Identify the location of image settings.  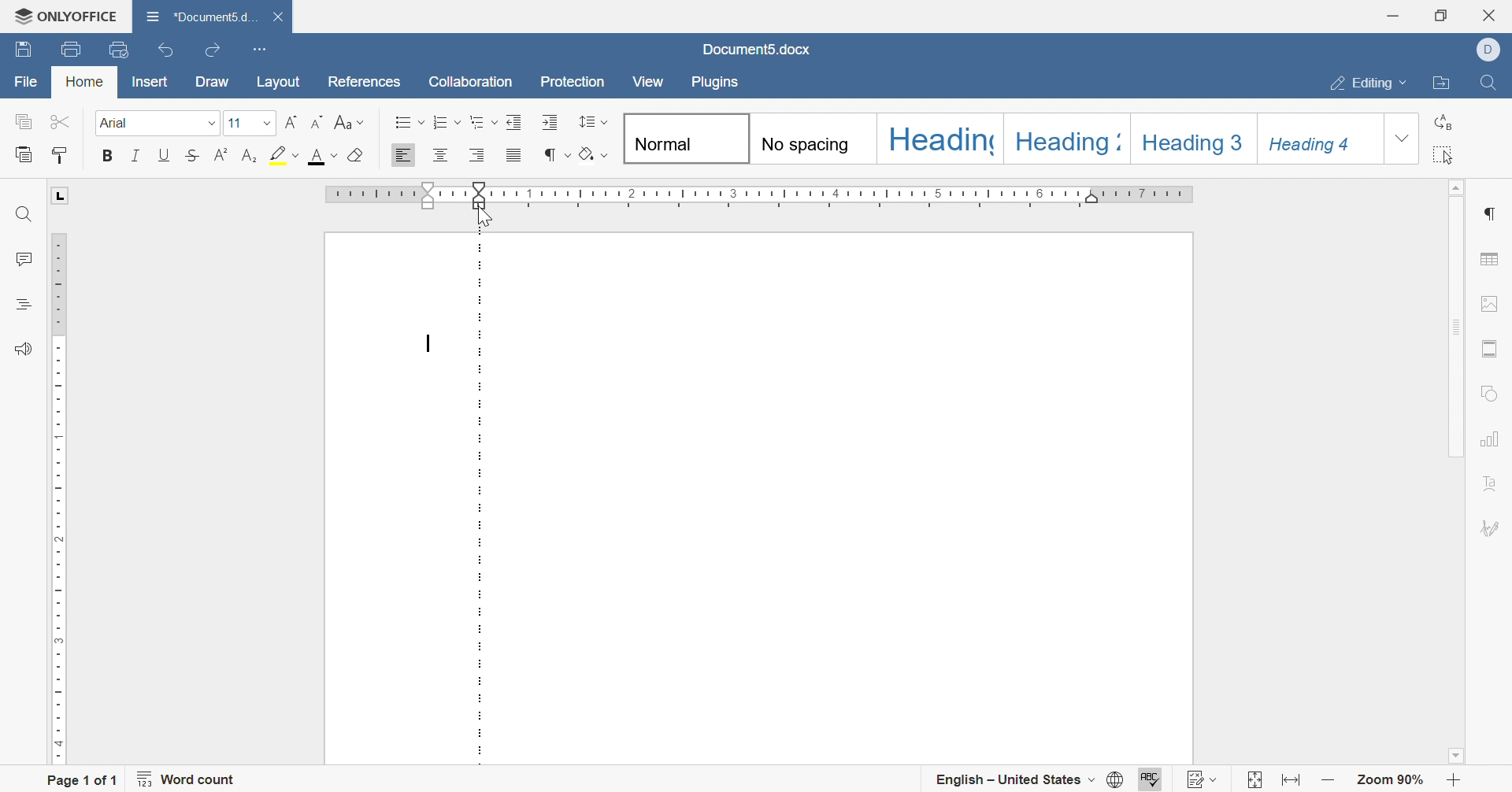
(1491, 301).